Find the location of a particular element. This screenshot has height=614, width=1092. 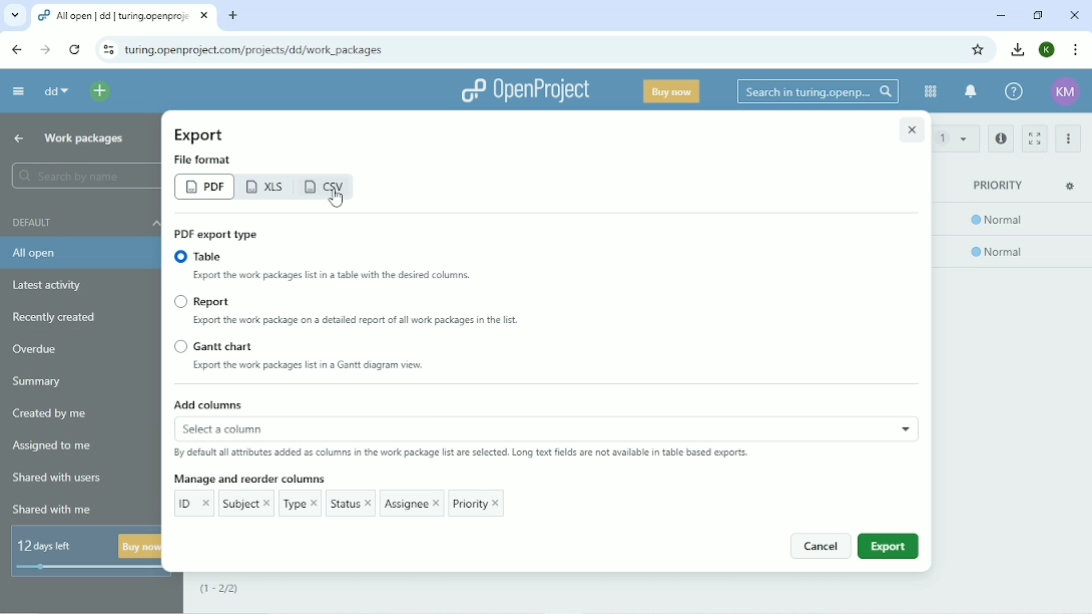

Export the work packages list in a Gantt diagram view is located at coordinates (330, 368).